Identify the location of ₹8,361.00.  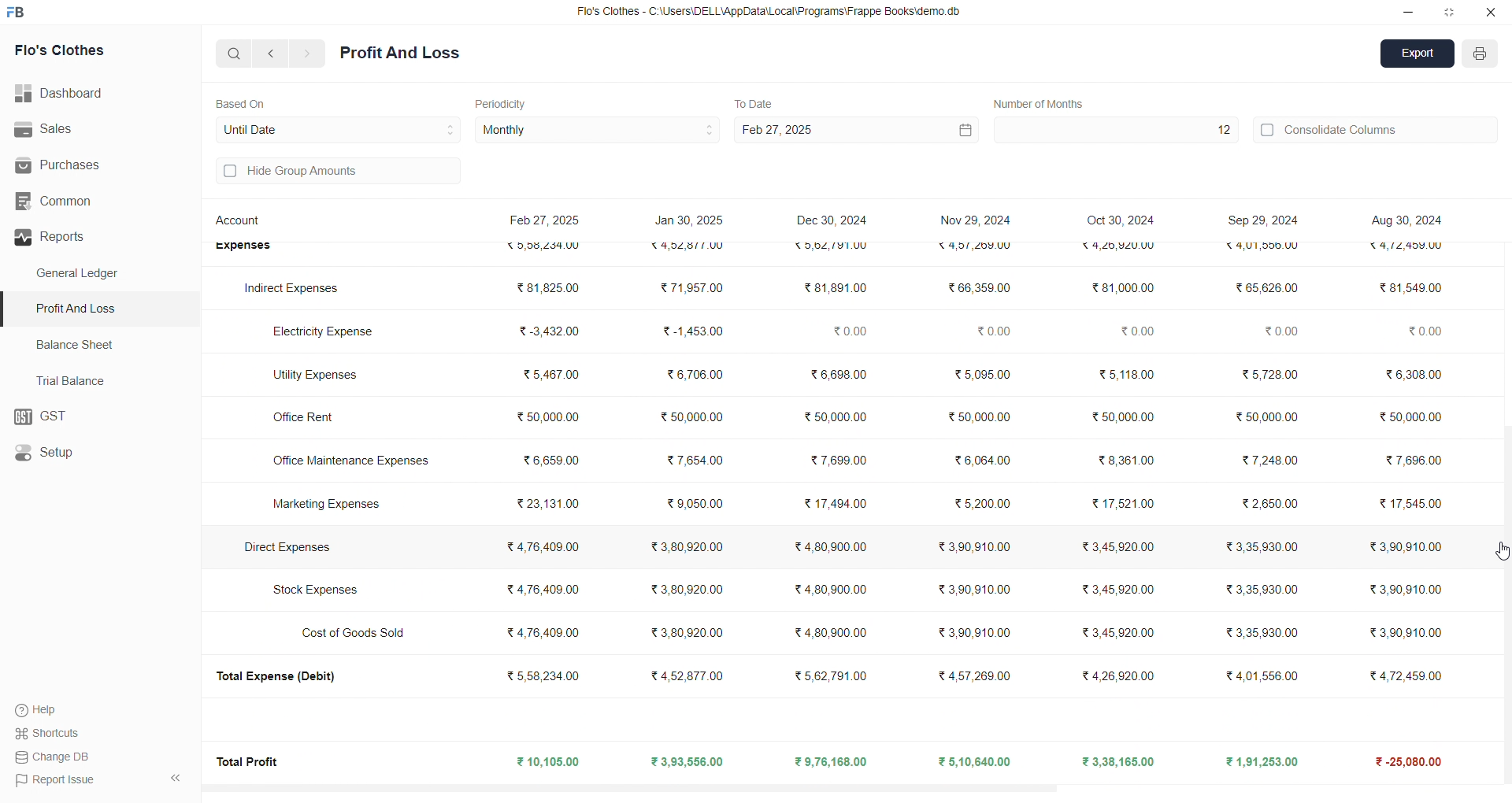
(1125, 460).